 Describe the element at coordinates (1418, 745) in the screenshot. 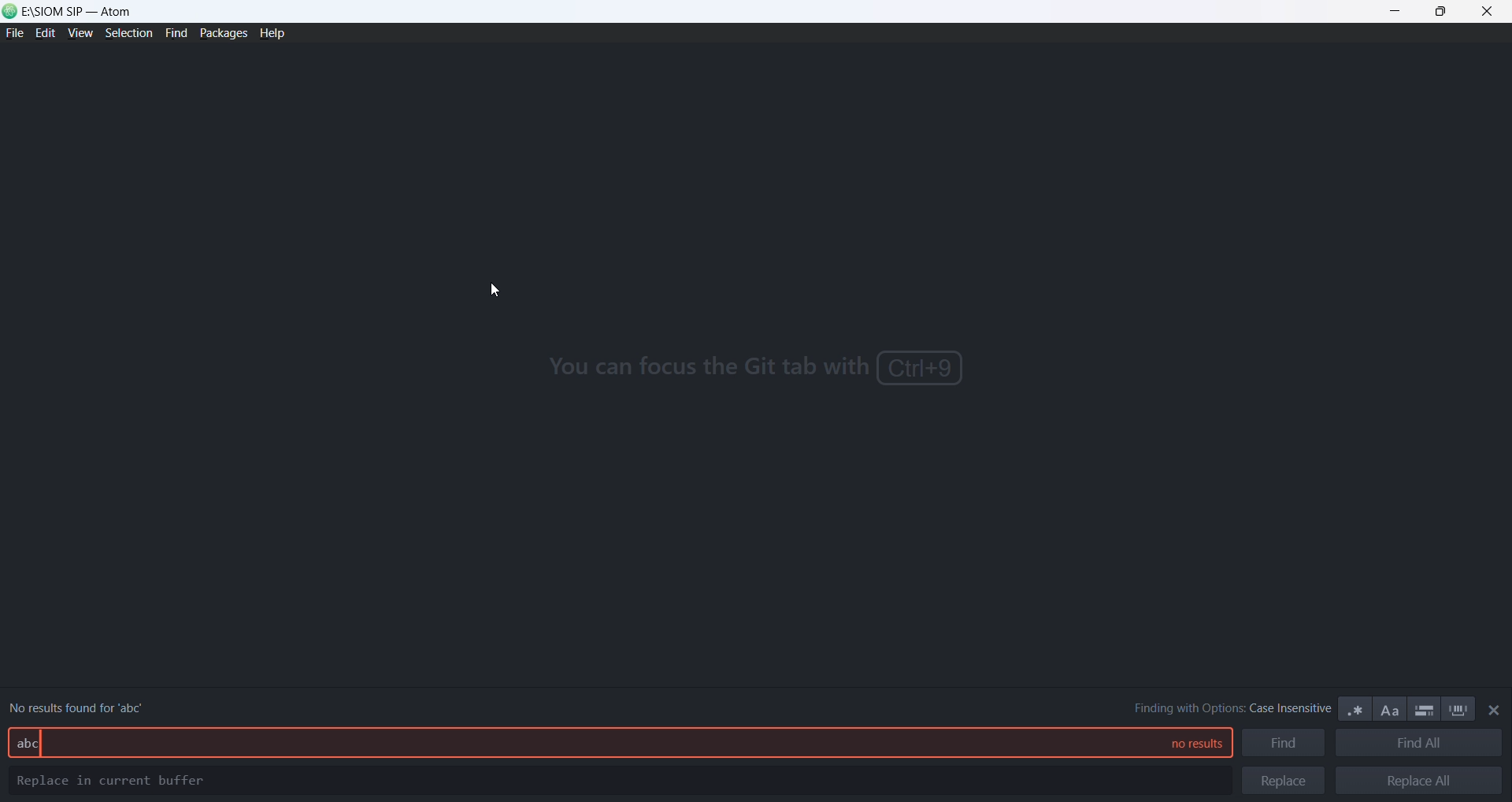

I see `find all` at that location.